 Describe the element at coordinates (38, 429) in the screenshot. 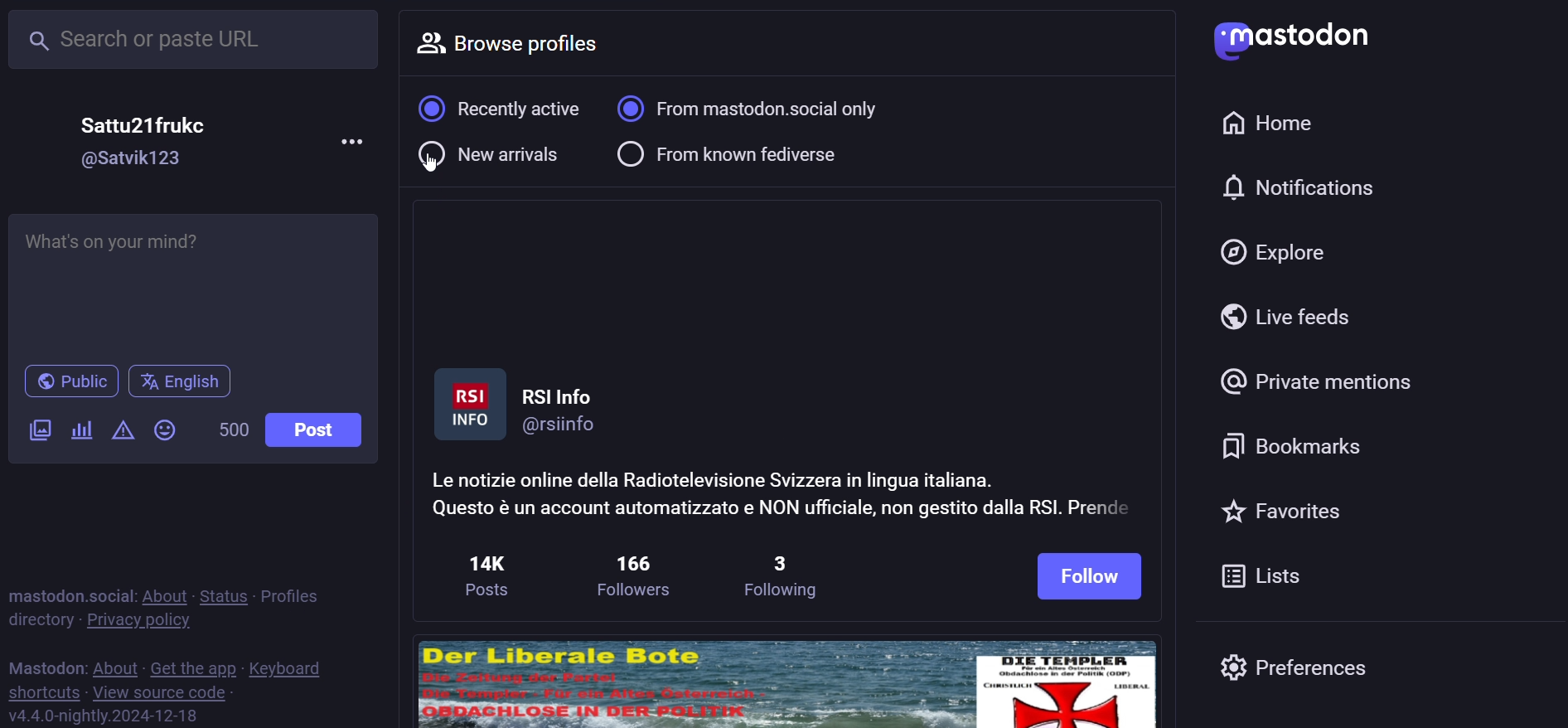

I see `image/video` at that location.